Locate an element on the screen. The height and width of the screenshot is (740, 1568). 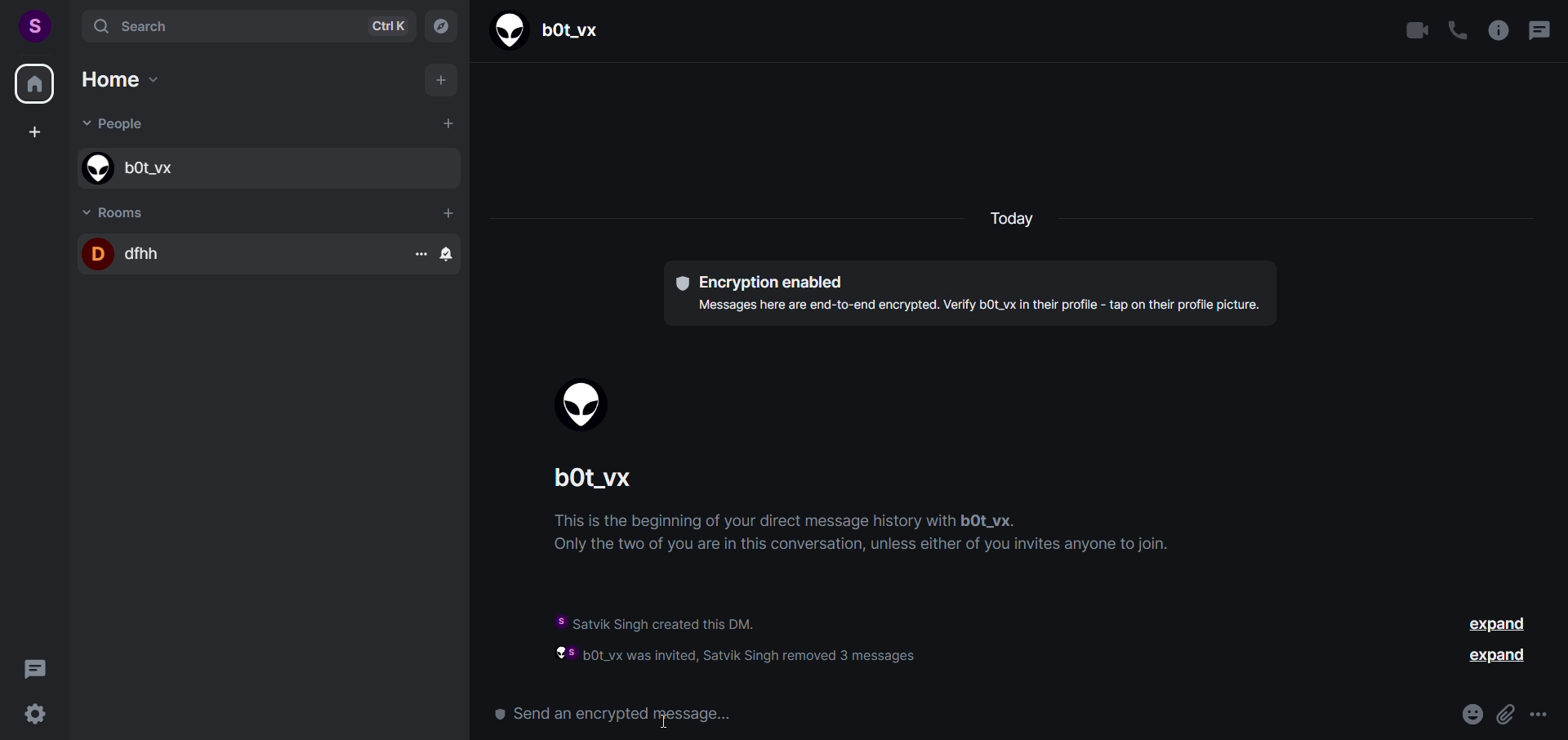
user is located at coordinates (33, 24).